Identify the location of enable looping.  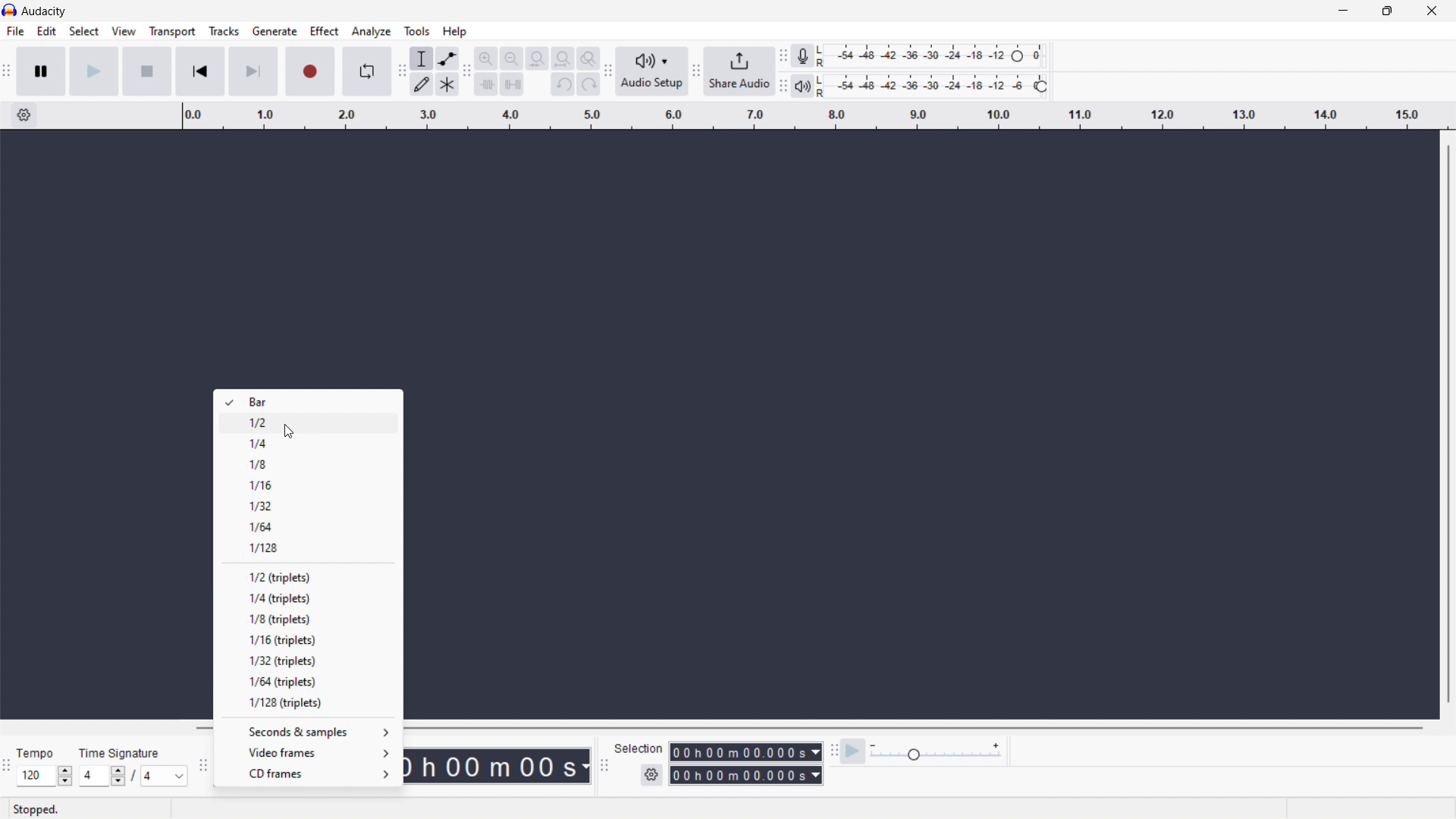
(366, 71).